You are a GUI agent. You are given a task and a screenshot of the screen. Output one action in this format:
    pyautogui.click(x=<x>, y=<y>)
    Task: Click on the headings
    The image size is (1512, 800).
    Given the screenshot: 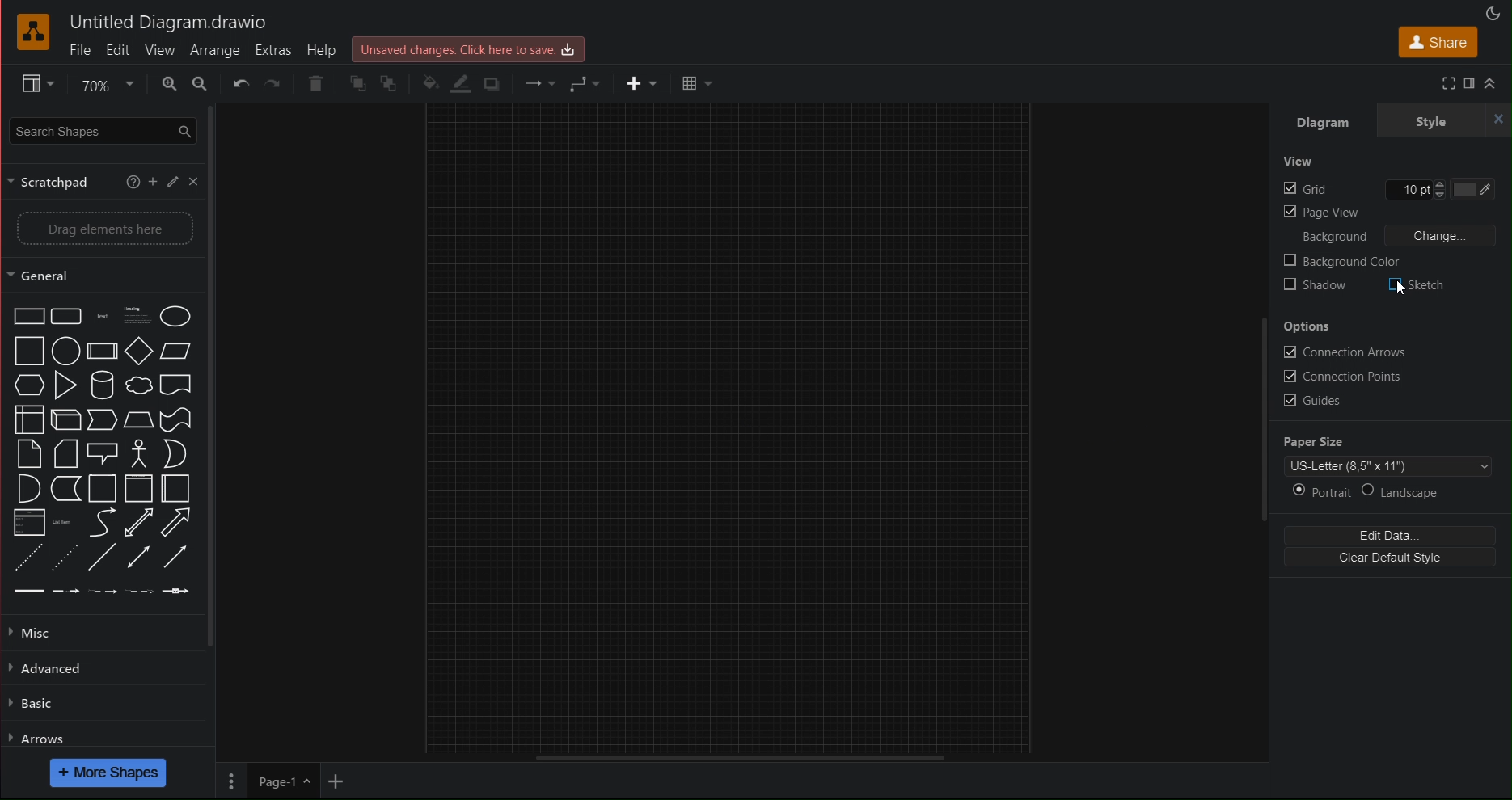 What is the action you would take?
    pyautogui.click(x=134, y=317)
    